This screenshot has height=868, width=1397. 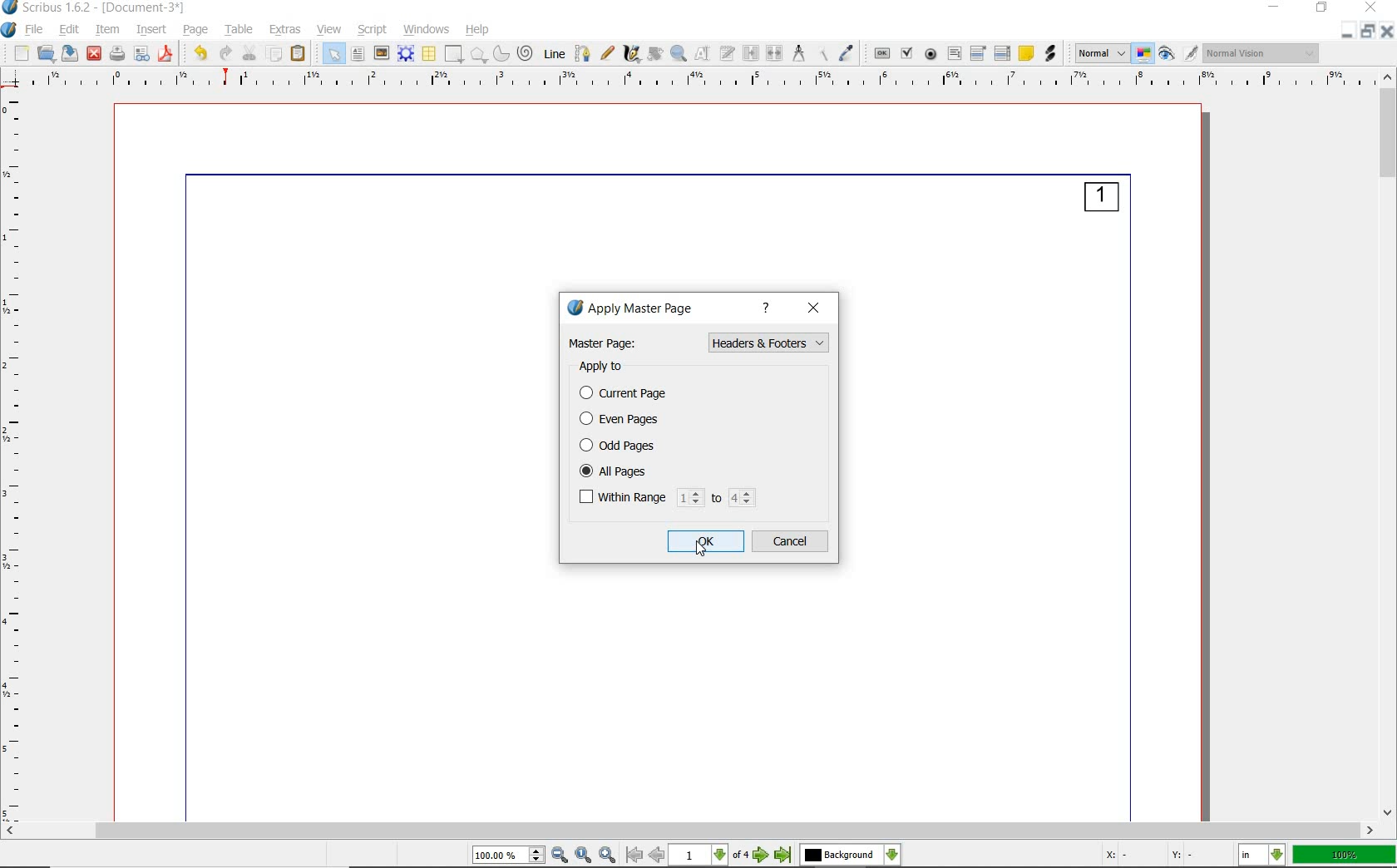 I want to click on extras, so click(x=287, y=30).